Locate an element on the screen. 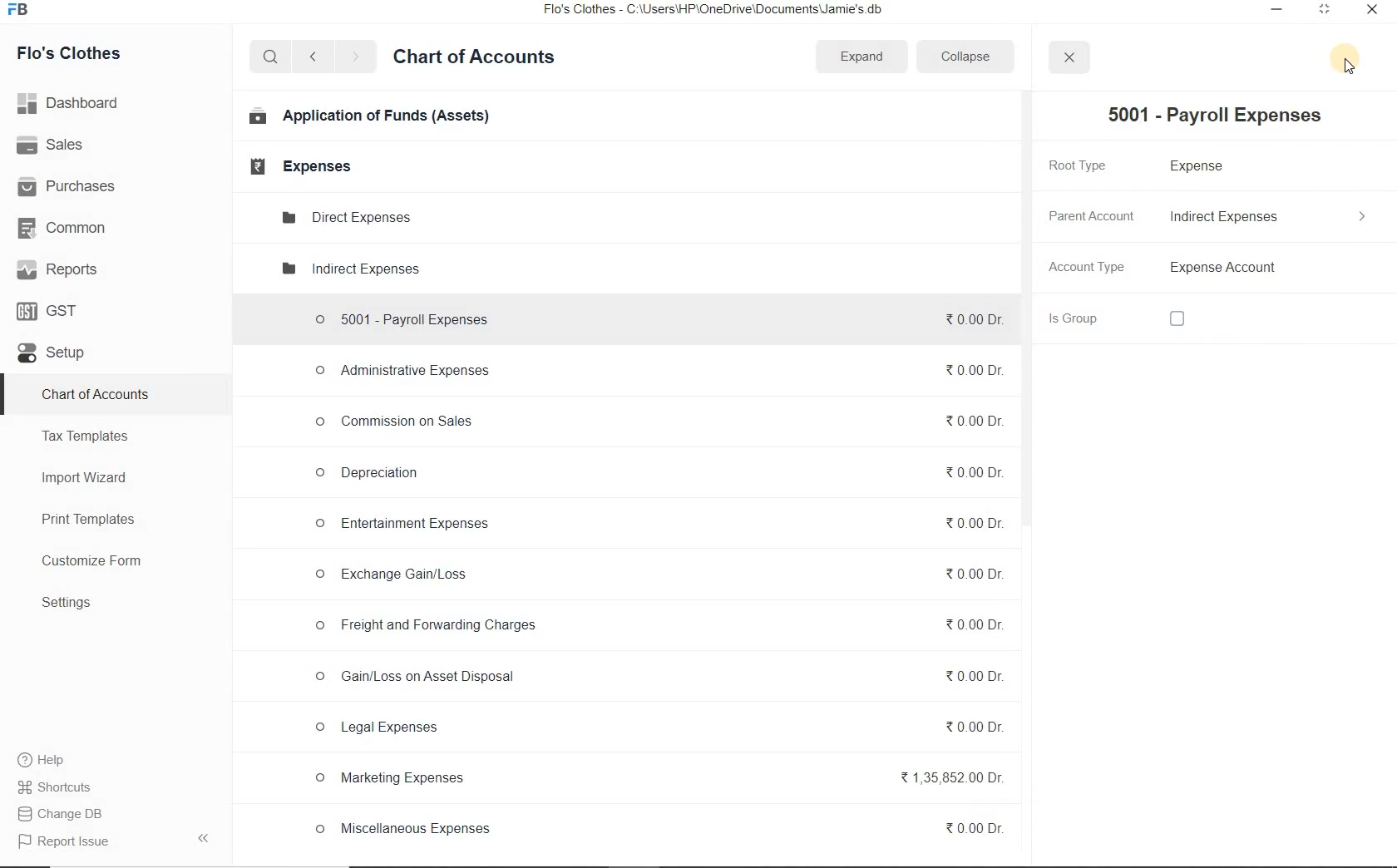 The width and height of the screenshot is (1397, 868). Parent Account is located at coordinates (1090, 215).